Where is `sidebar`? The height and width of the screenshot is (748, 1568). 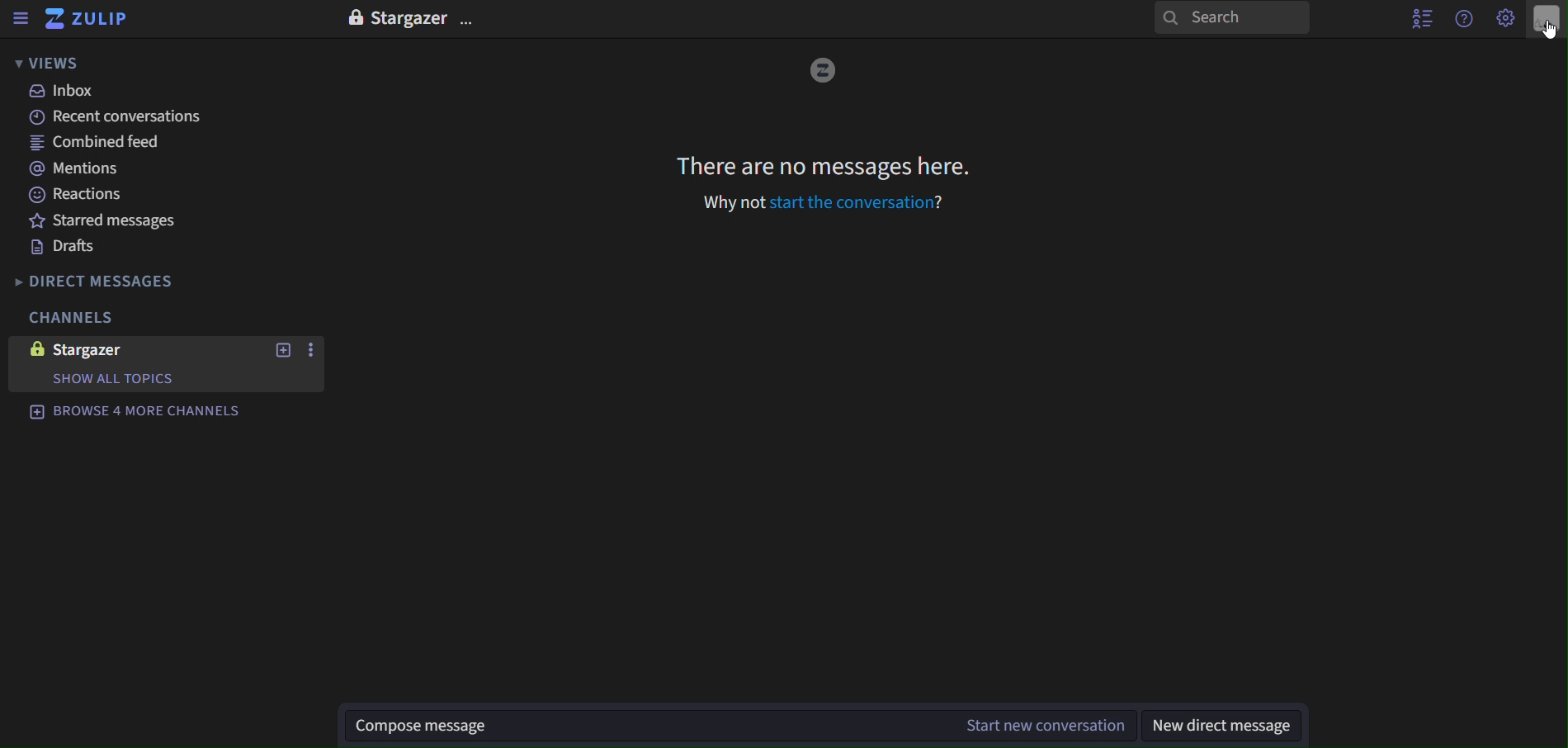
sidebar is located at coordinates (20, 21).